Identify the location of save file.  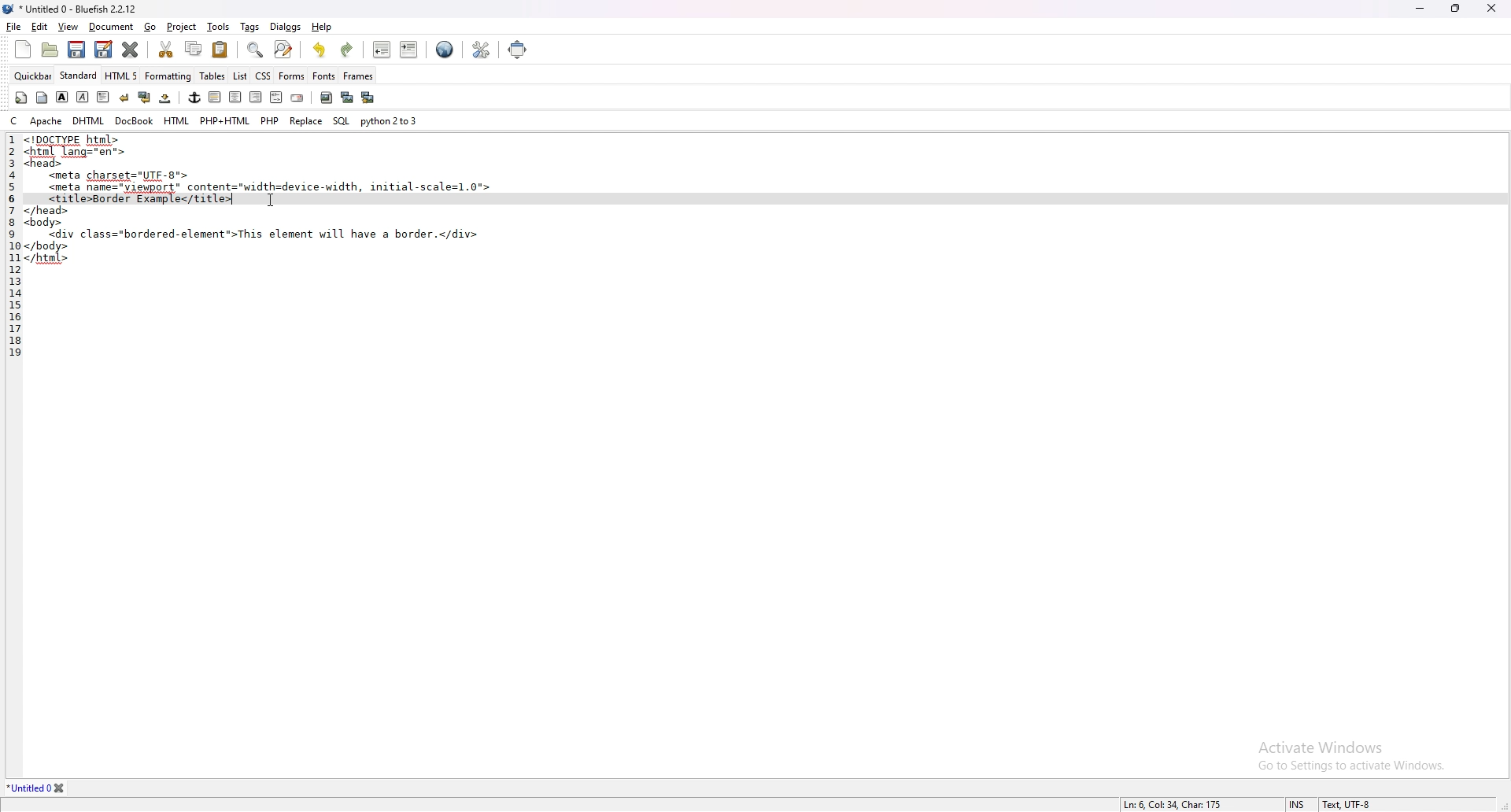
(75, 50).